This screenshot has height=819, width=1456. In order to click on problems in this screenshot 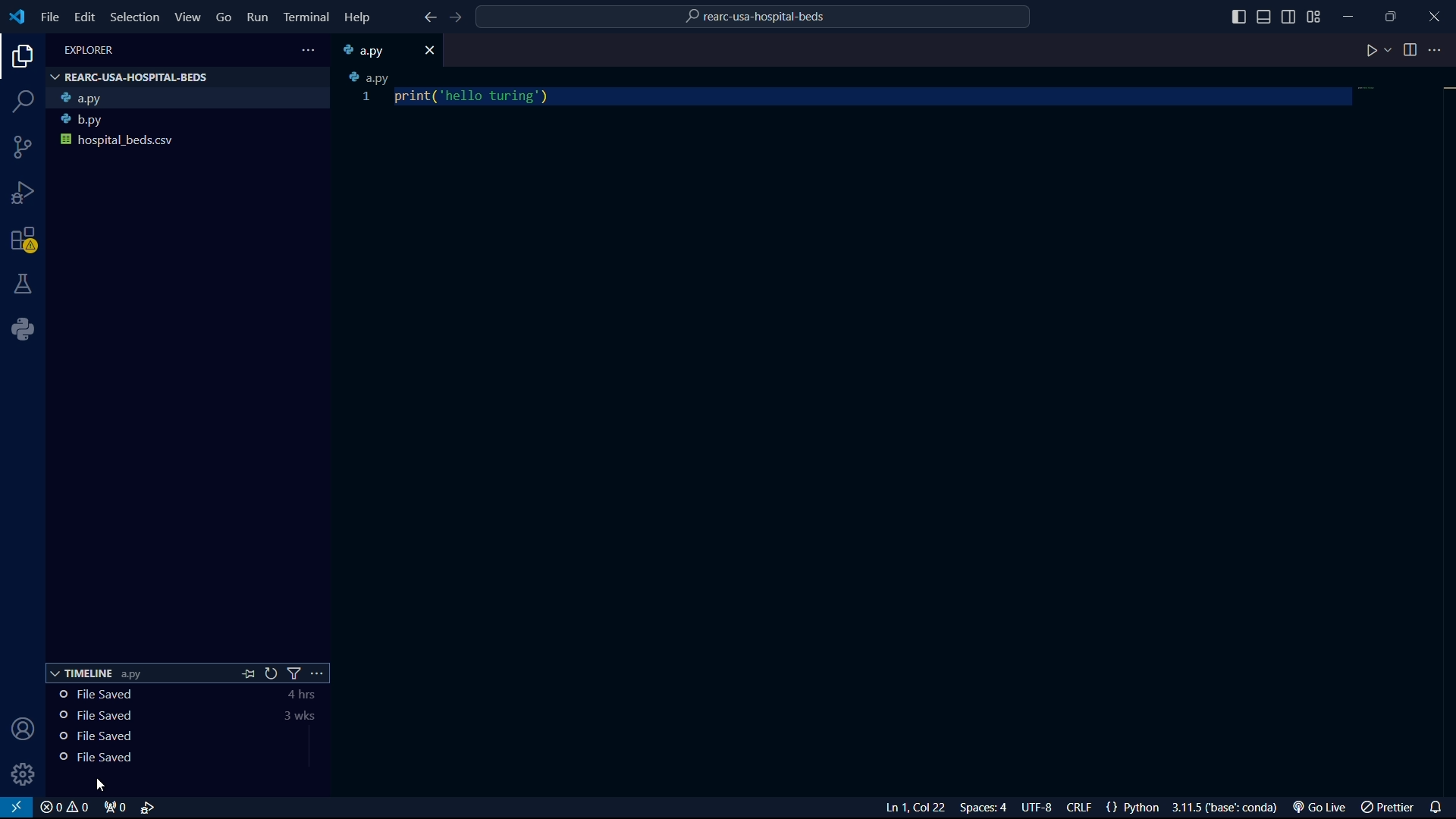, I will do `click(64, 808)`.